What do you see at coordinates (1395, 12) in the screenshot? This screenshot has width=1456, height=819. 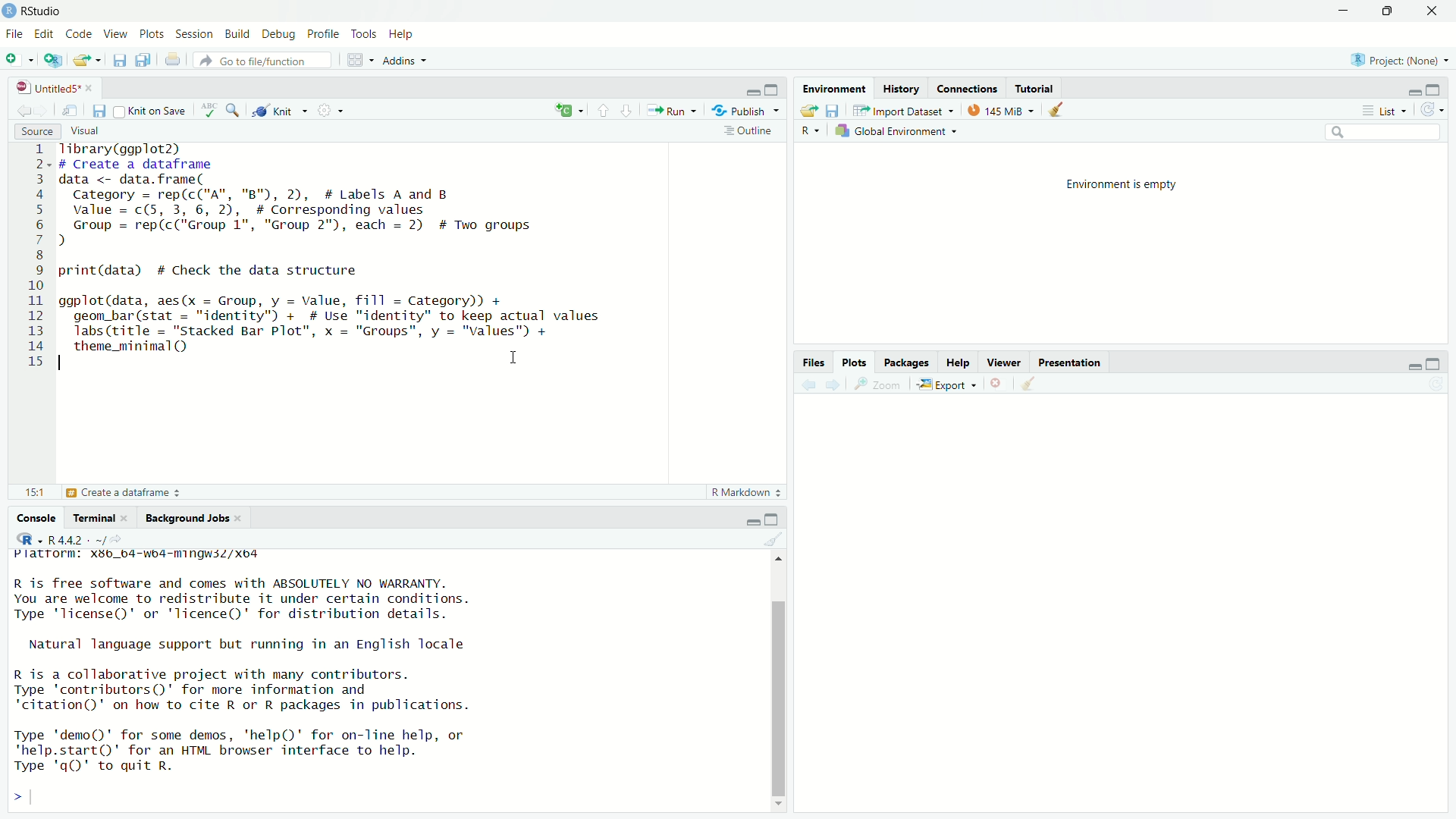 I see `Maximize` at bounding box center [1395, 12].